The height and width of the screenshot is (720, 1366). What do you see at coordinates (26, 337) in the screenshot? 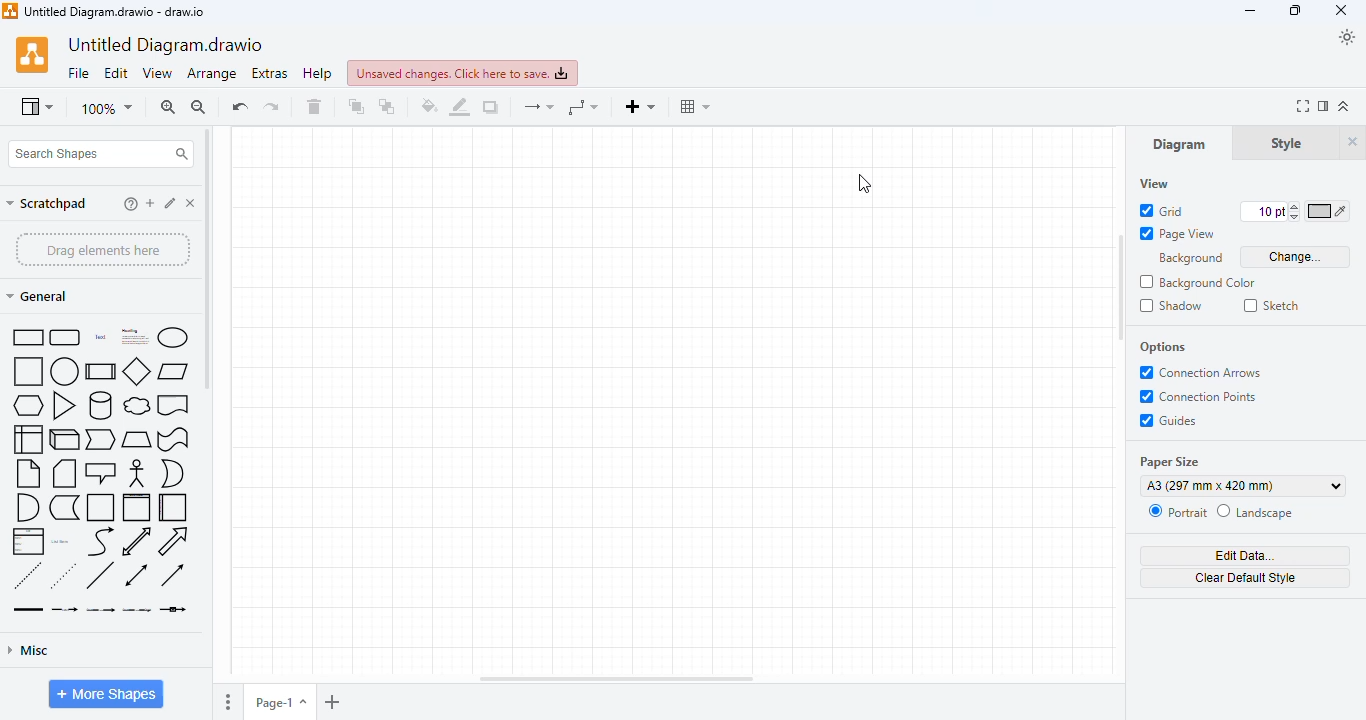
I see `rectangle` at bounding box center [26, 337].